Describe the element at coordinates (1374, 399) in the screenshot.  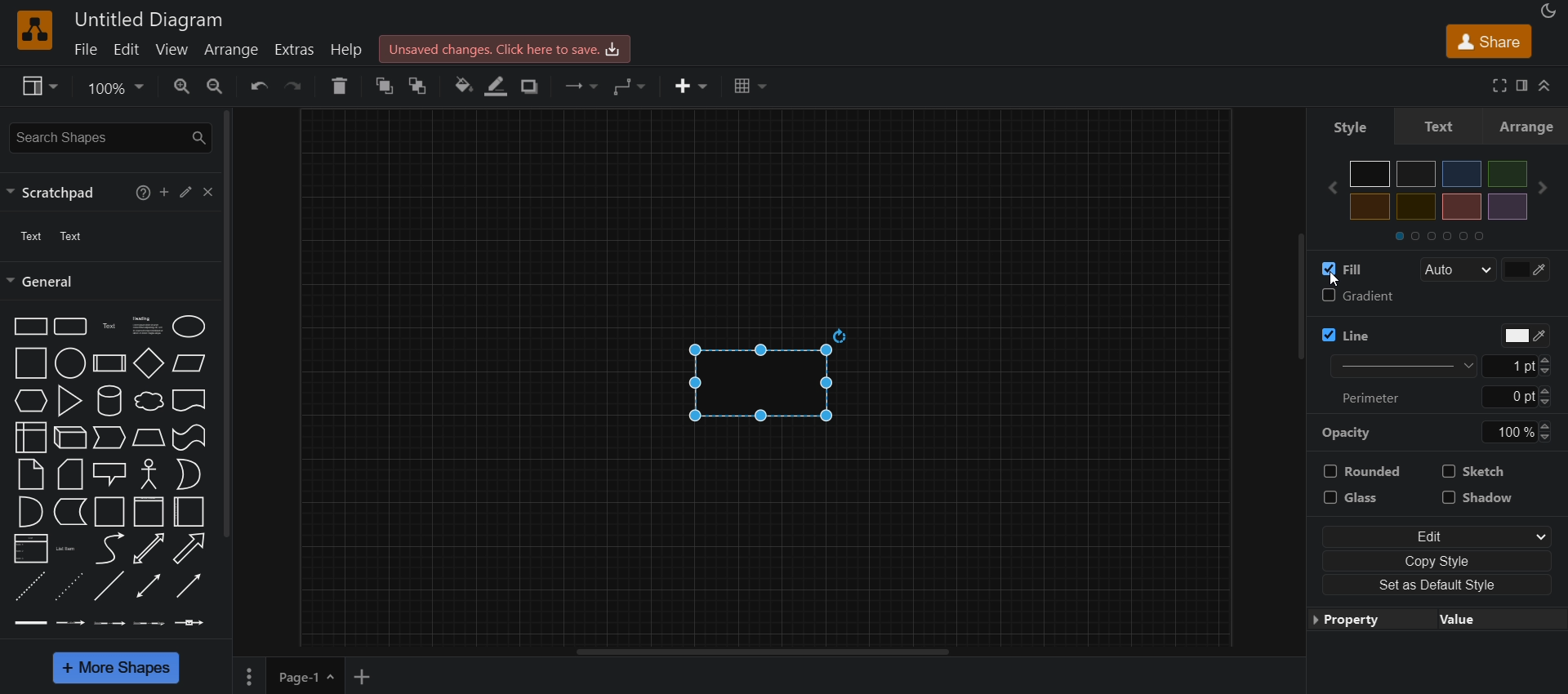
I see `perimeter` at that location.